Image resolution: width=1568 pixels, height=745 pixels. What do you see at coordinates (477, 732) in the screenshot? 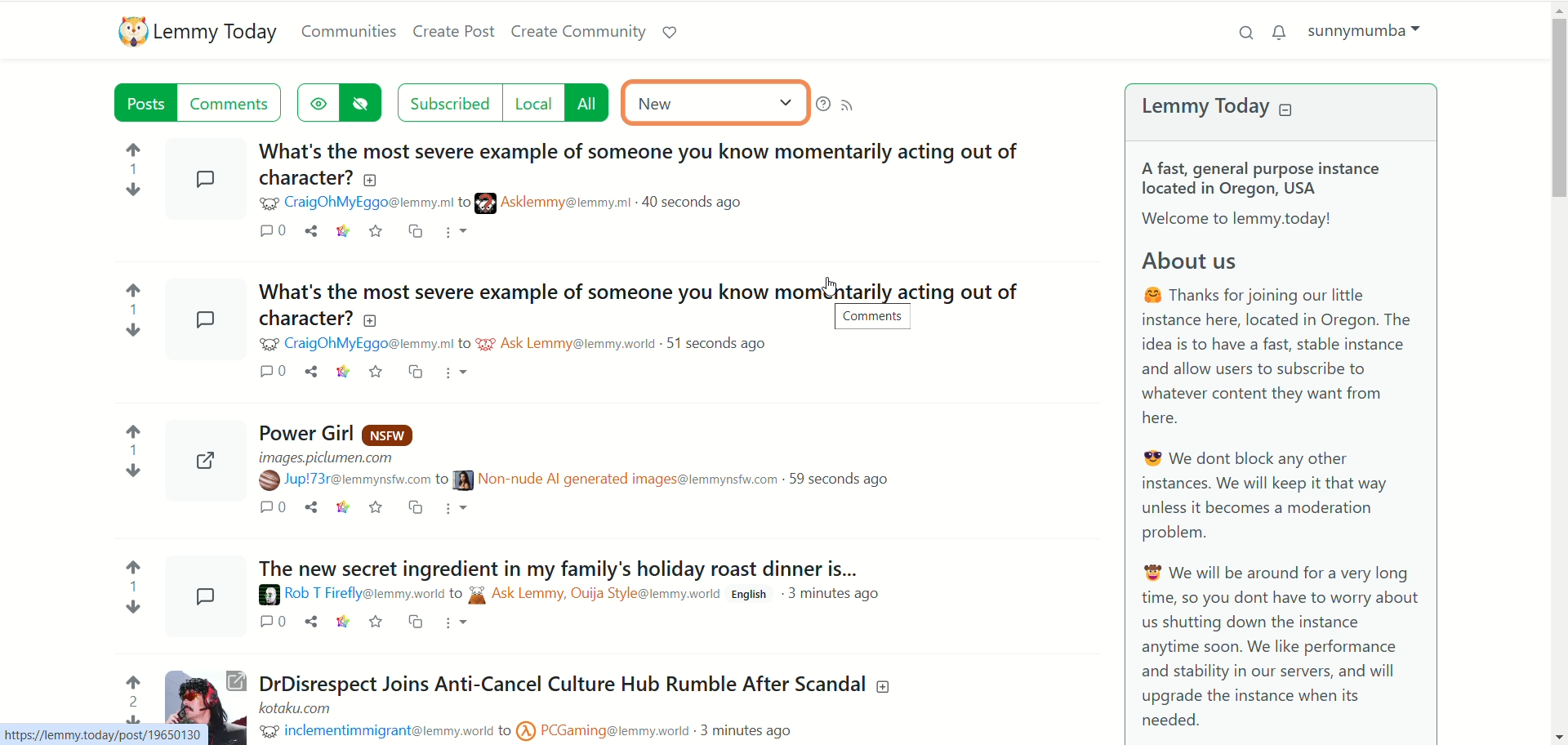
I see `inclementimmigrant@lemmy.world to PCGaming@lemmy.world` at bounding box center [477, 732].